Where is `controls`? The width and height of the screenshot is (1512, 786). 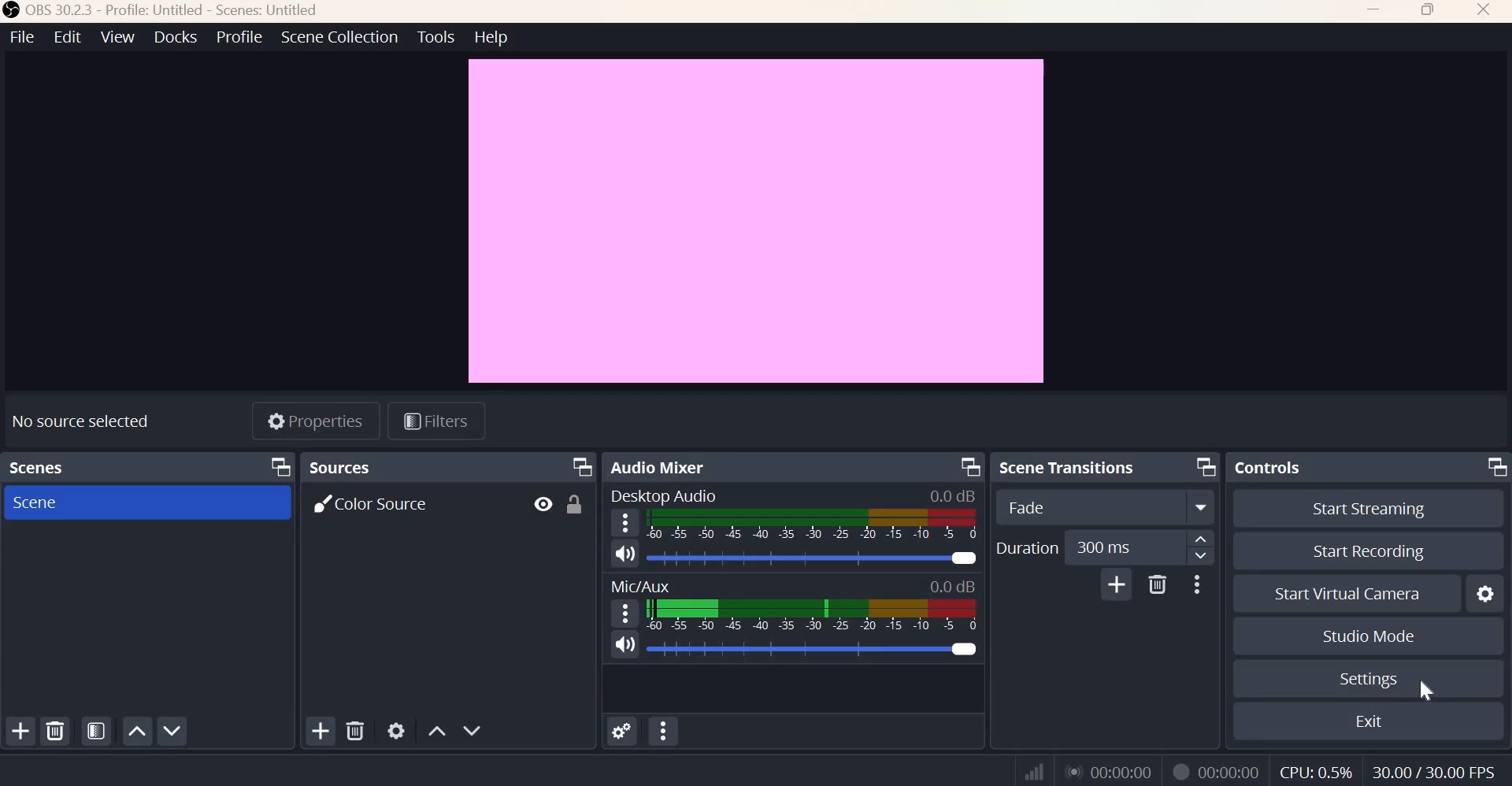 controls is located at coordinates (1273, 467).